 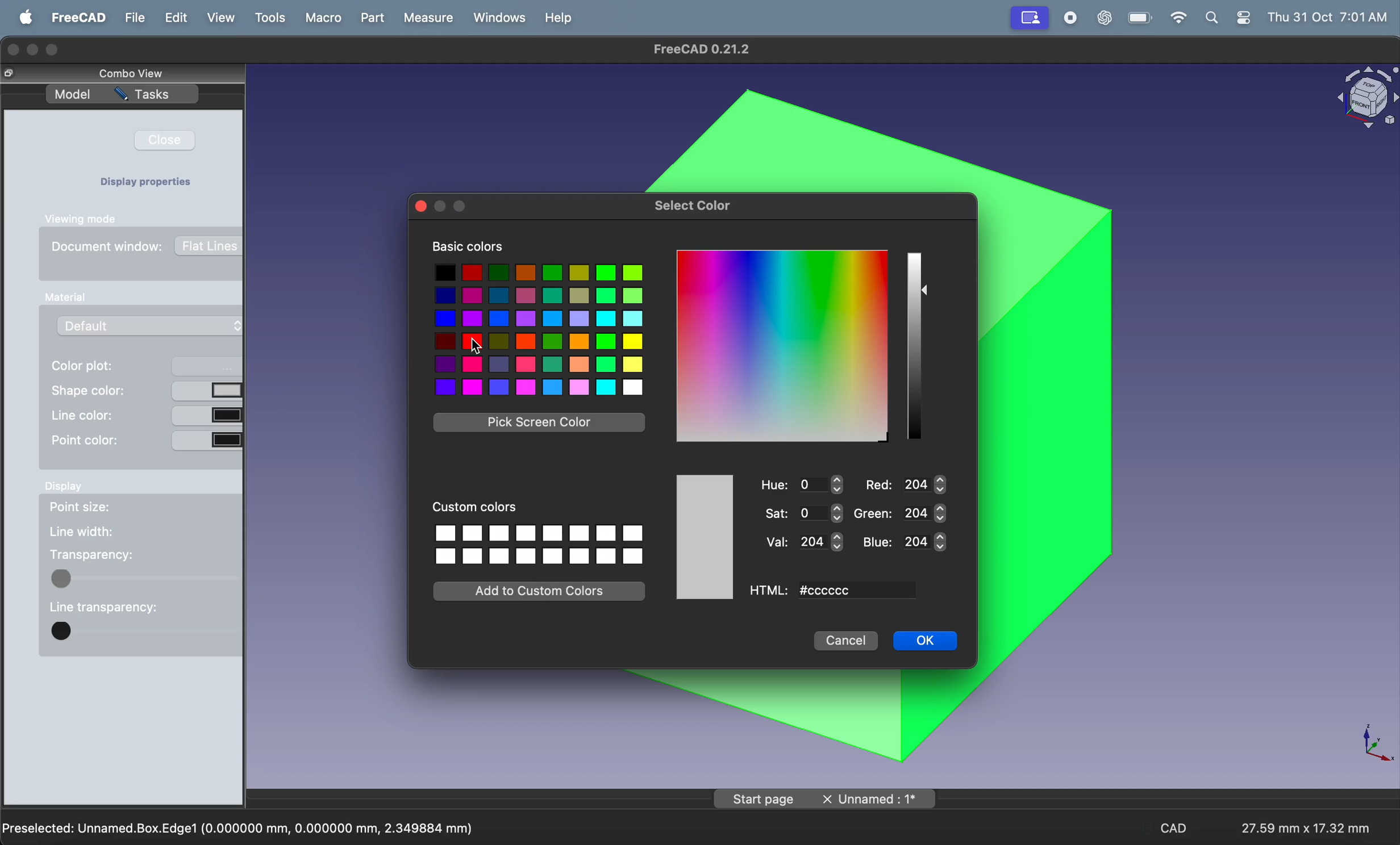 I want to click on custom colors, so click(x=476, y=509).